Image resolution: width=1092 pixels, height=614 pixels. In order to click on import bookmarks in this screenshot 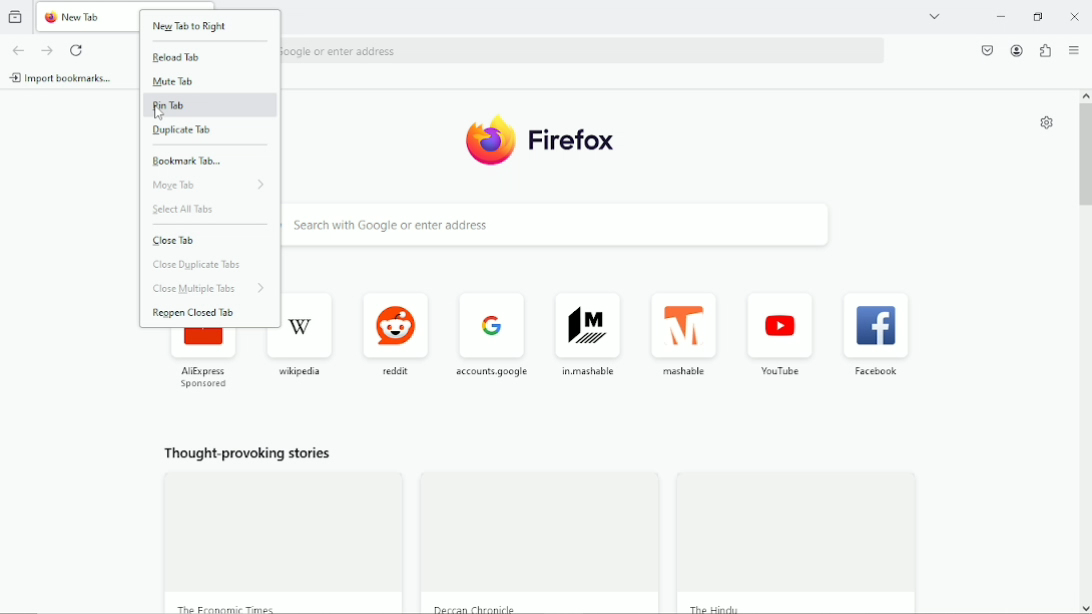, I will do `click(64, 77)`.